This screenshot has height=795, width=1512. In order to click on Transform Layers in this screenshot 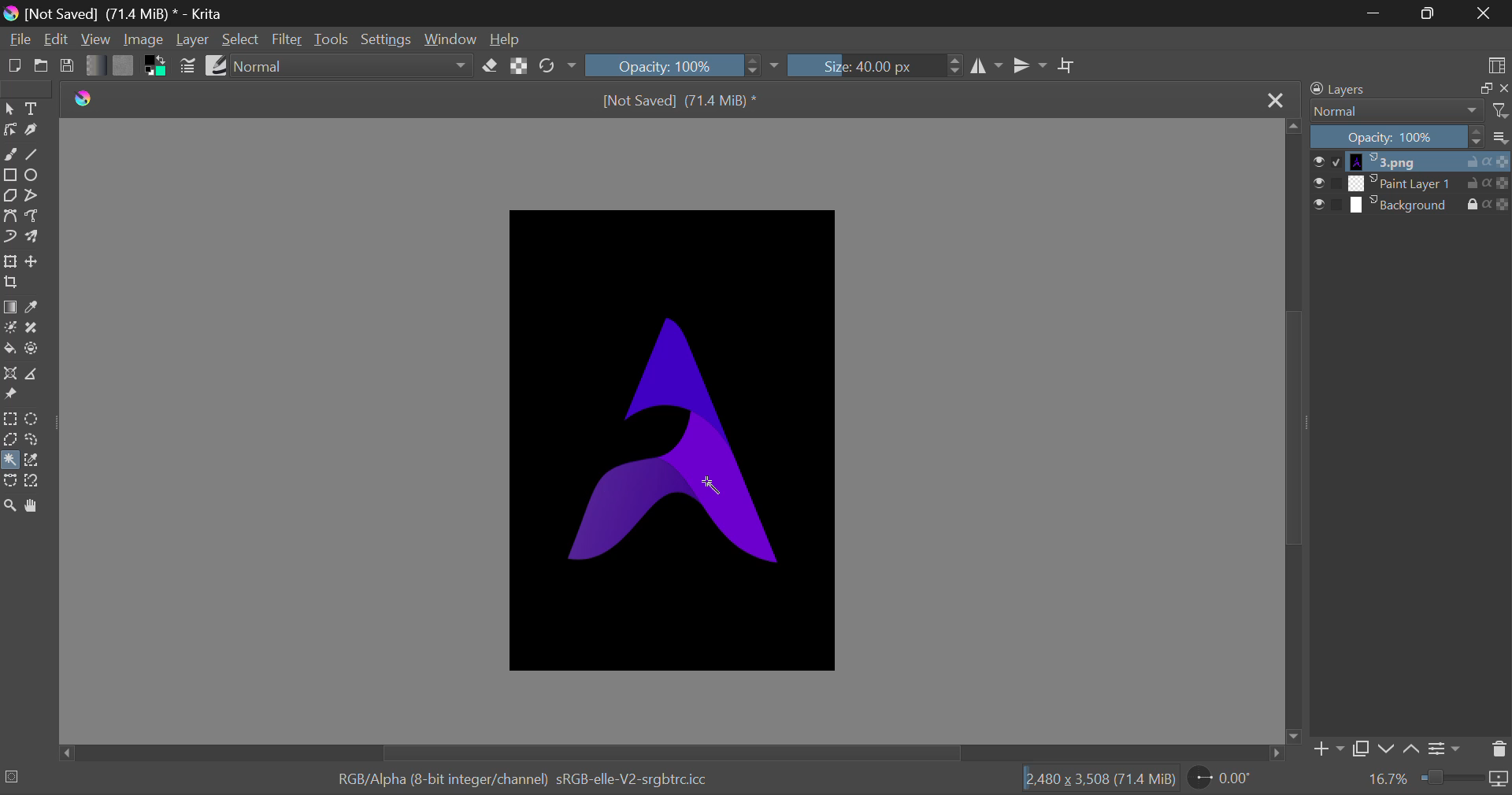, I will do `click(10, 264)`.